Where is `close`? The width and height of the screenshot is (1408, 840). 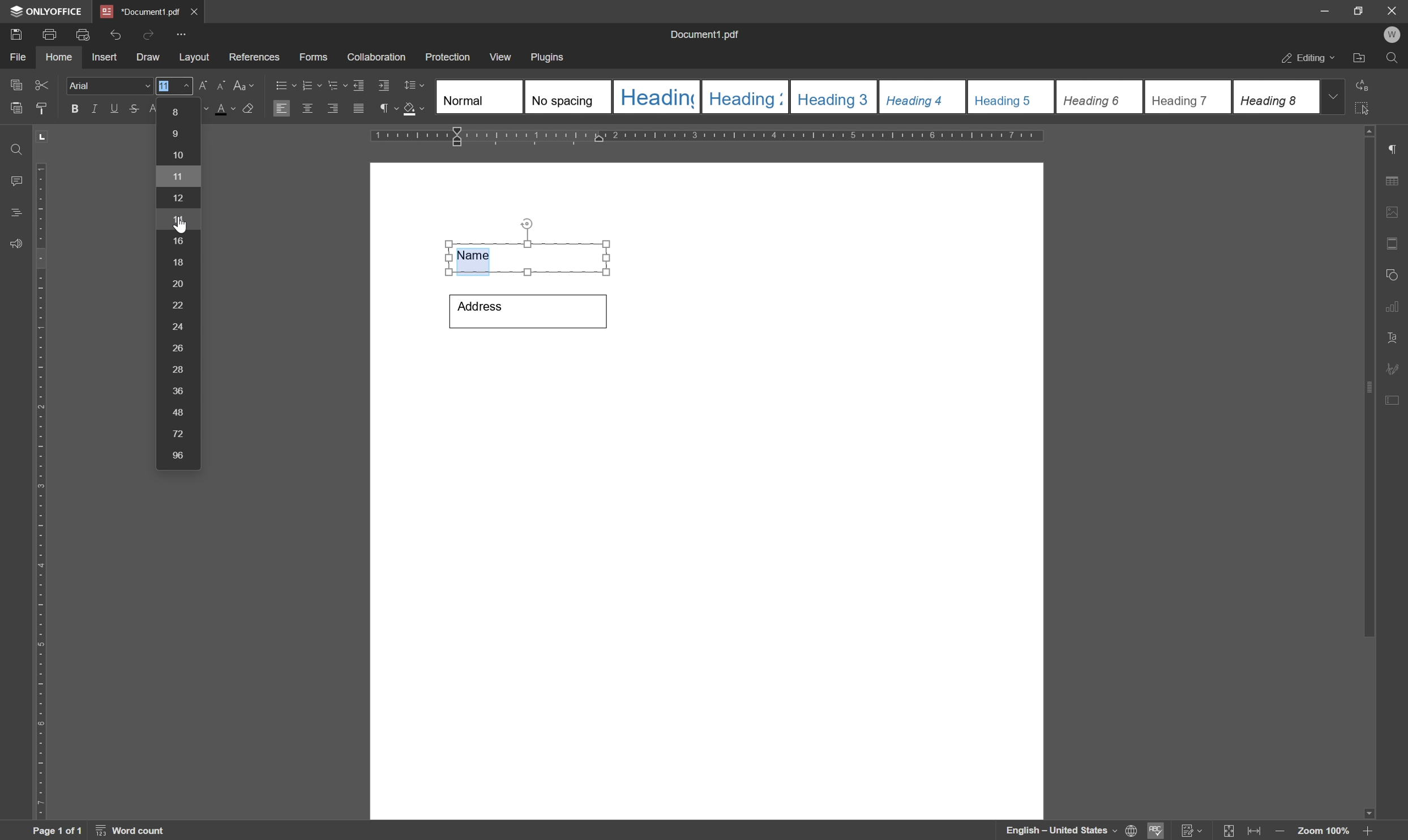
close is located at coordinates (1392, 10).